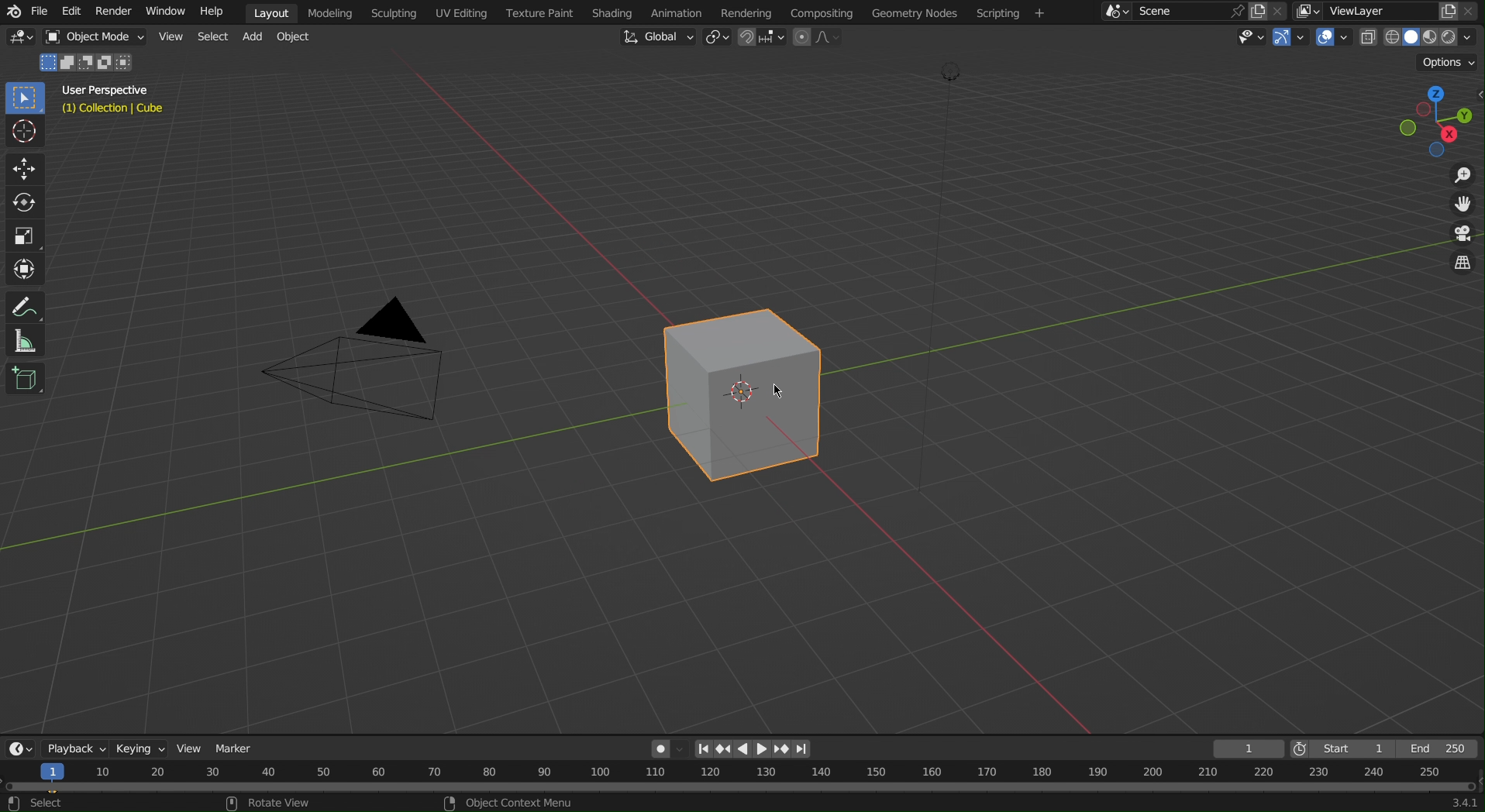 This screenshot has height=812, width=1485. Describe the element at coordinates (27, 303) in the screenshot. I see `Annotate` at that location.